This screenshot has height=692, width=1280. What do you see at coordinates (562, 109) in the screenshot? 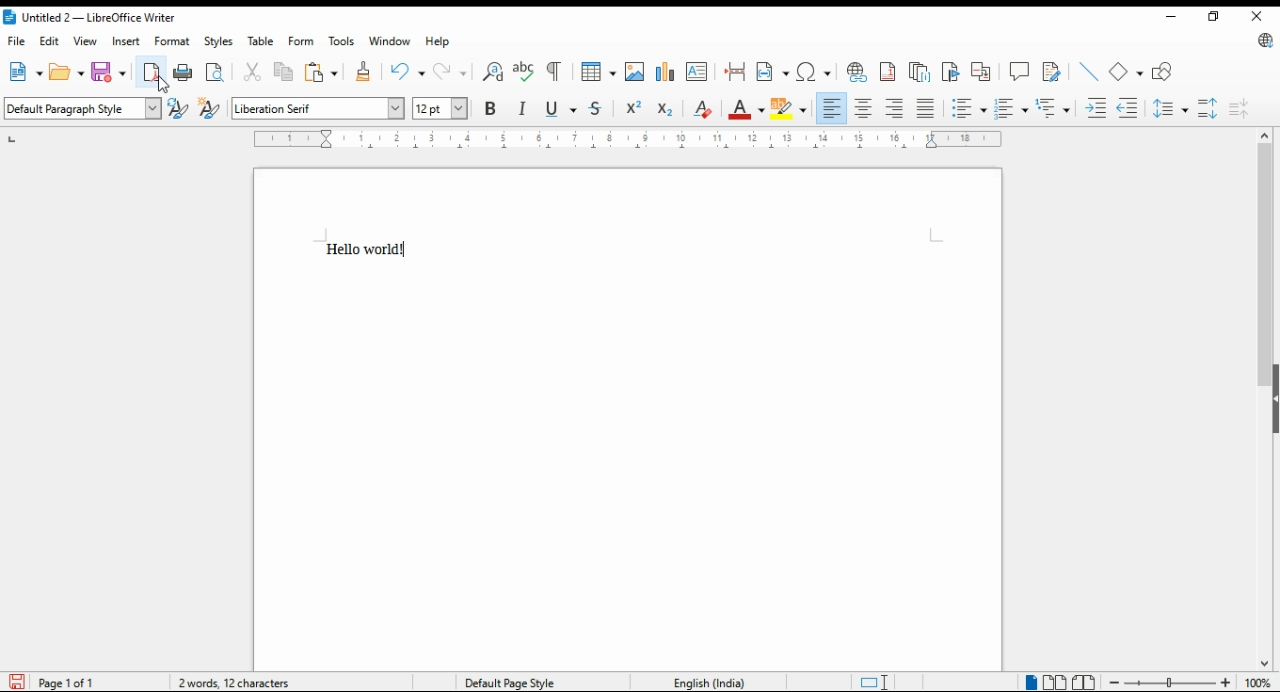
I see `underline` at bounding box center [562, 109].